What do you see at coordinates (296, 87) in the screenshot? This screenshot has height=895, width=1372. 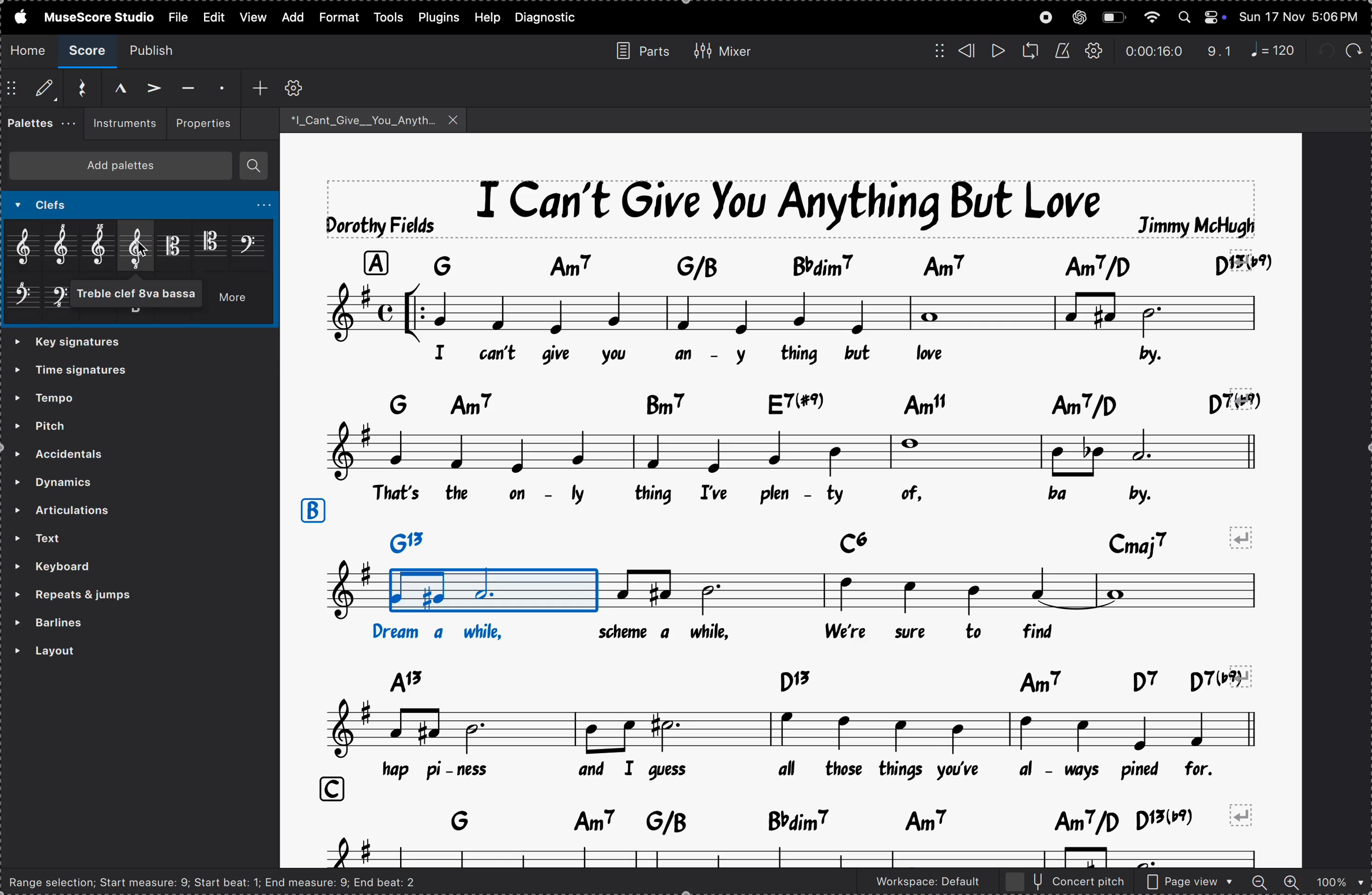 I see `customize toolbar` at bounding box center [296, 87].